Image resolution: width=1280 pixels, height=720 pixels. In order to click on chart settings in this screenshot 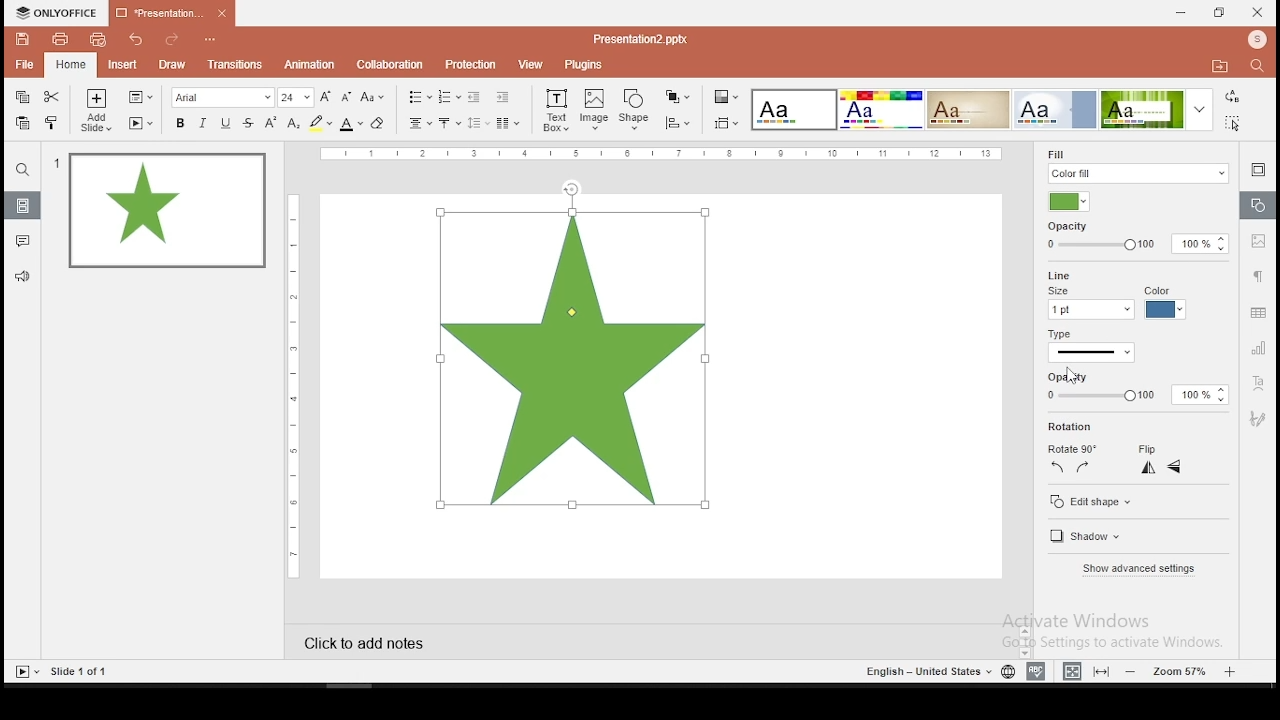, I will do `click(1256, 347)`.